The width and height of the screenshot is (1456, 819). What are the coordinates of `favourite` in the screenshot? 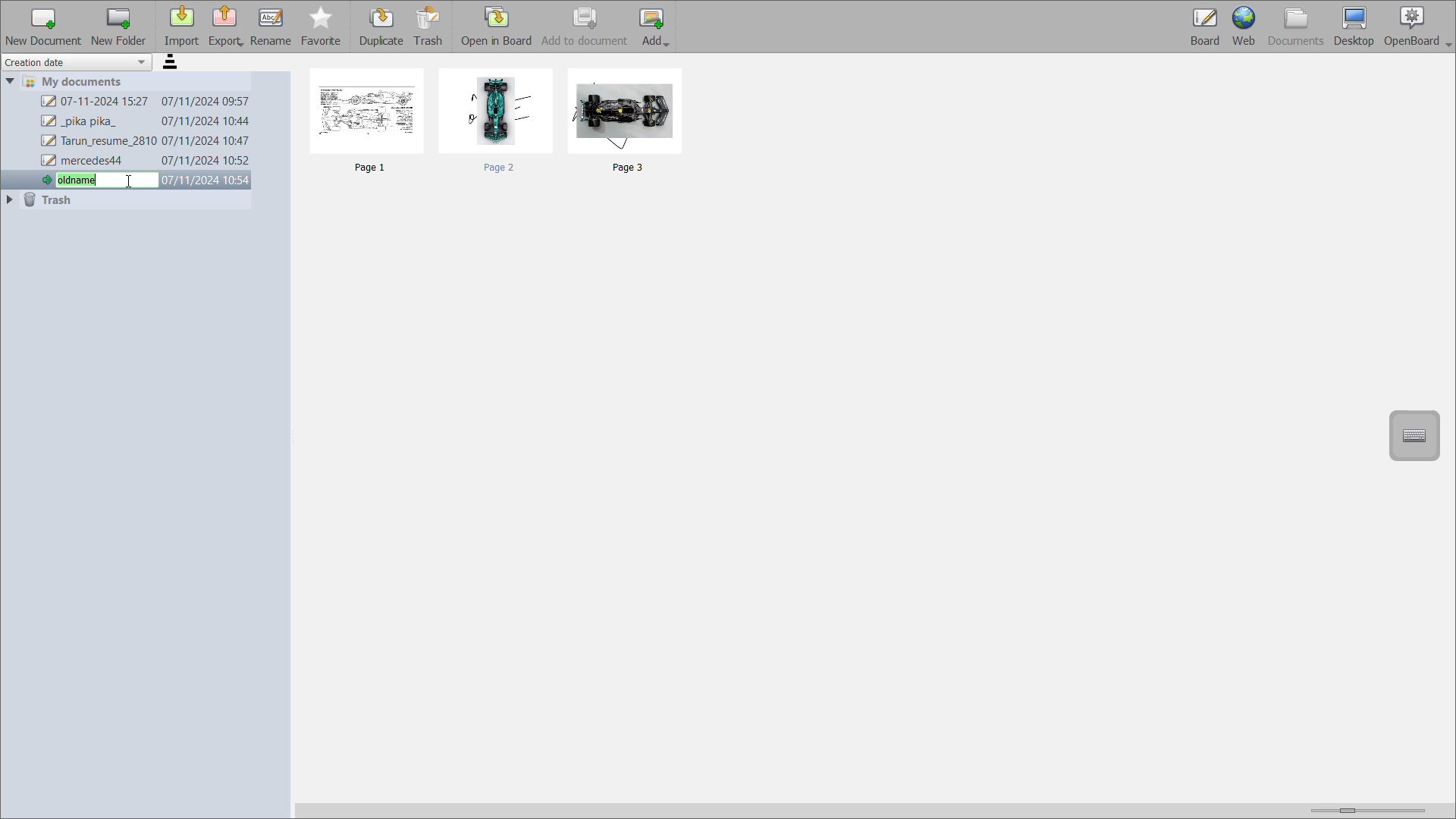 It's located at (322, 28).